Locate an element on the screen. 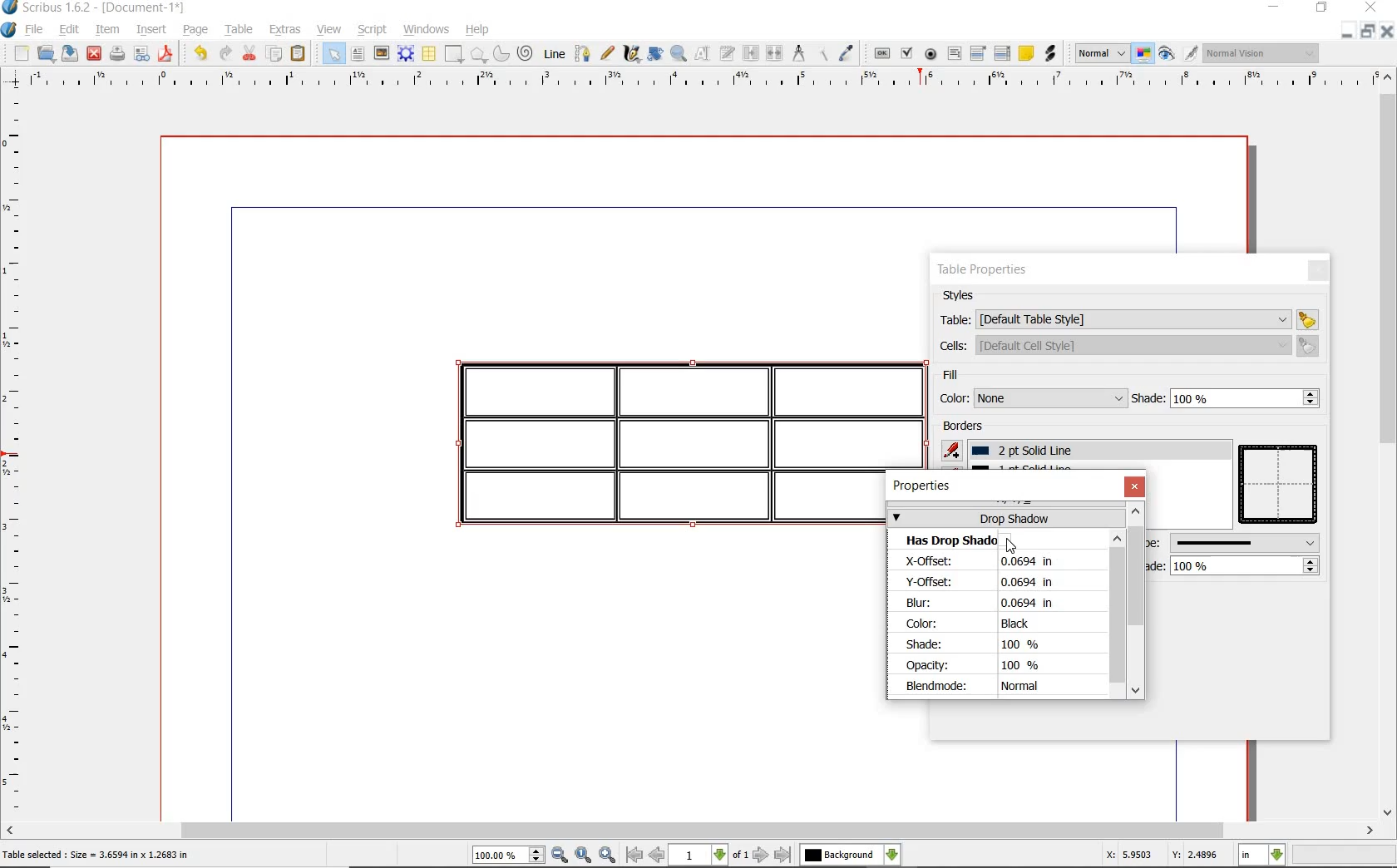 This screenshot has height=868, width=1397. open is located at coordinates (44, 52).